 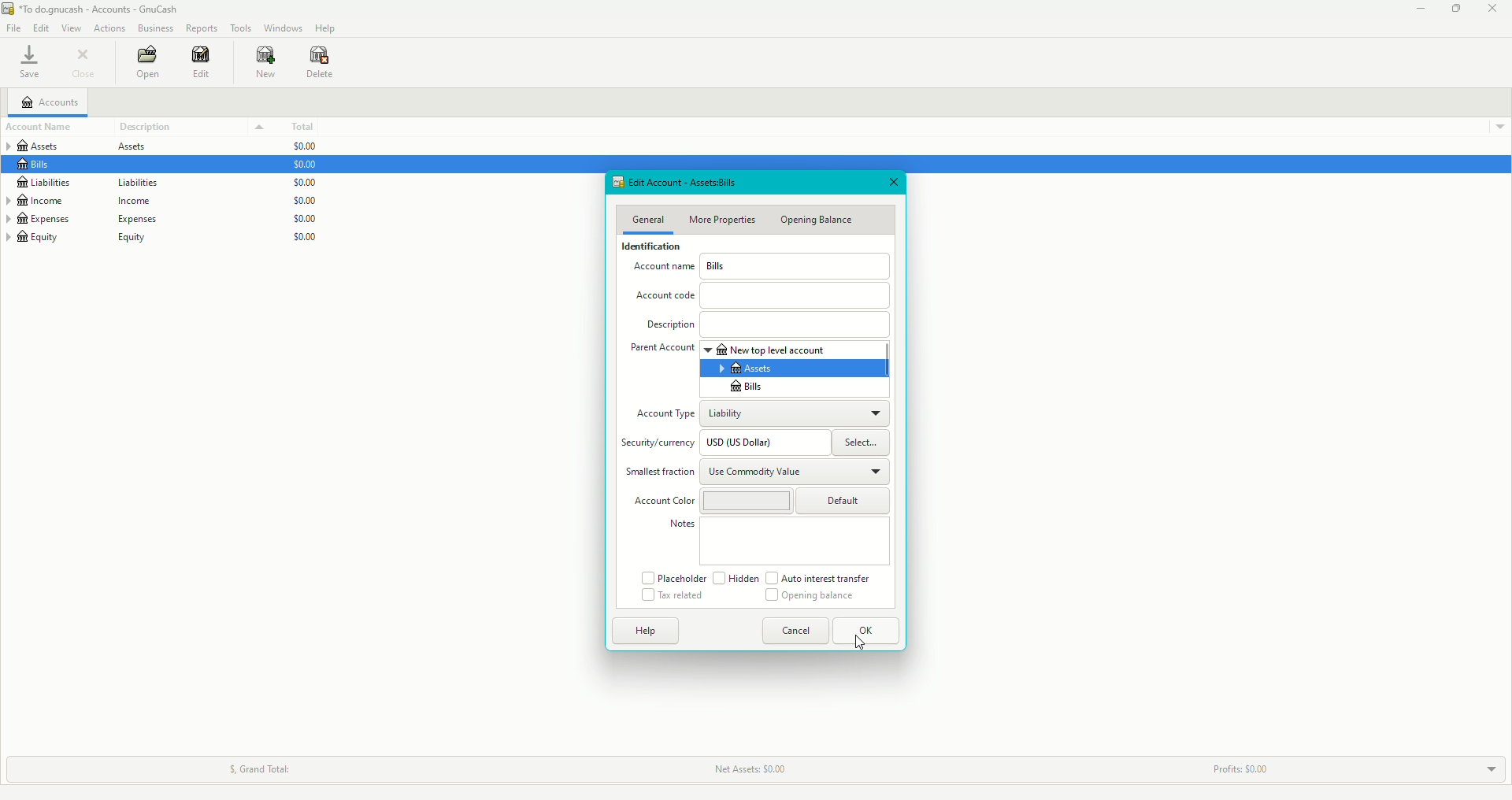 What do you see at coordinates (749, 769) in the screenshot?
I see `Net Assets` at bounding box center [749, 769].